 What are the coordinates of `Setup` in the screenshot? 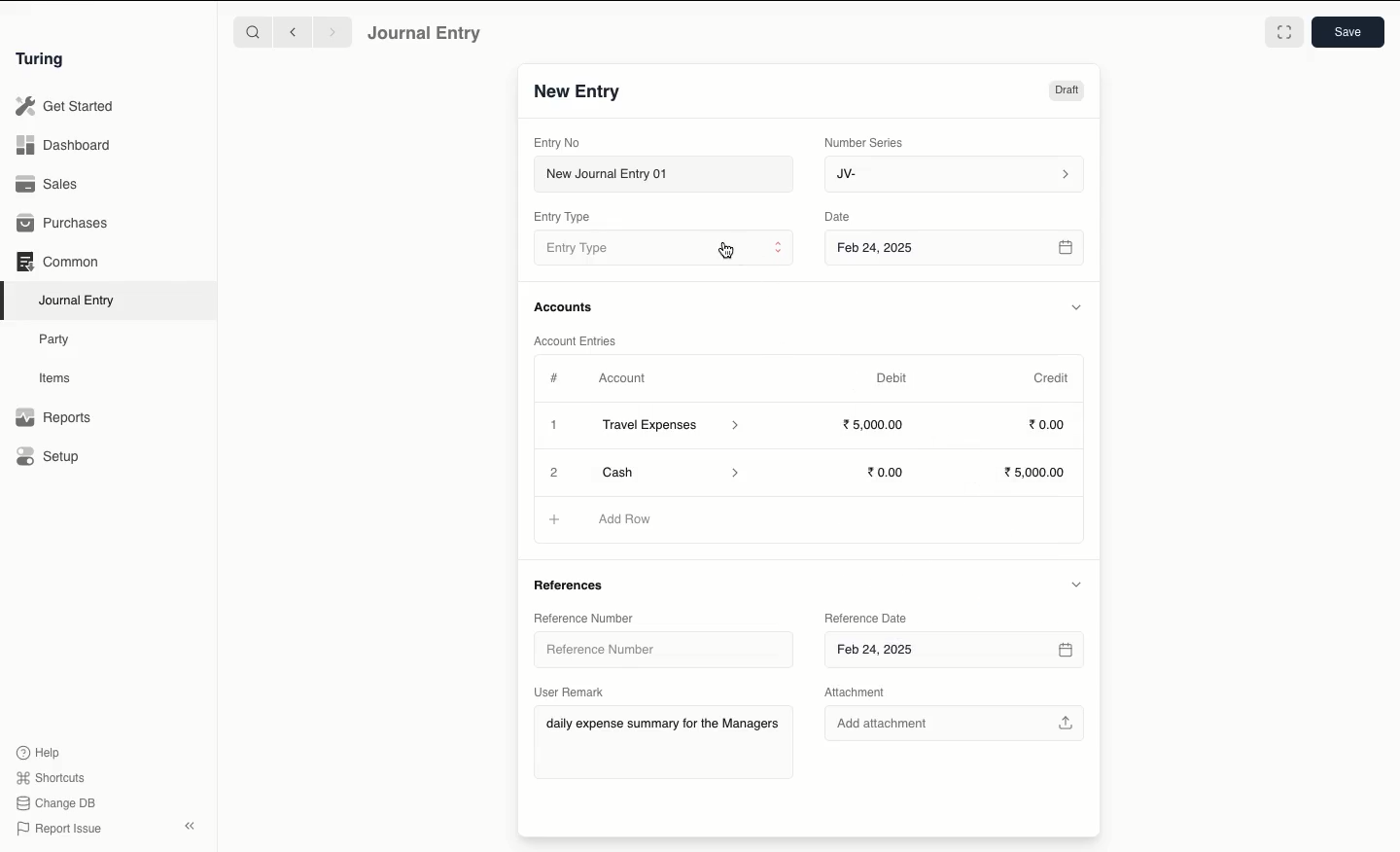 It's located at (49, 455).